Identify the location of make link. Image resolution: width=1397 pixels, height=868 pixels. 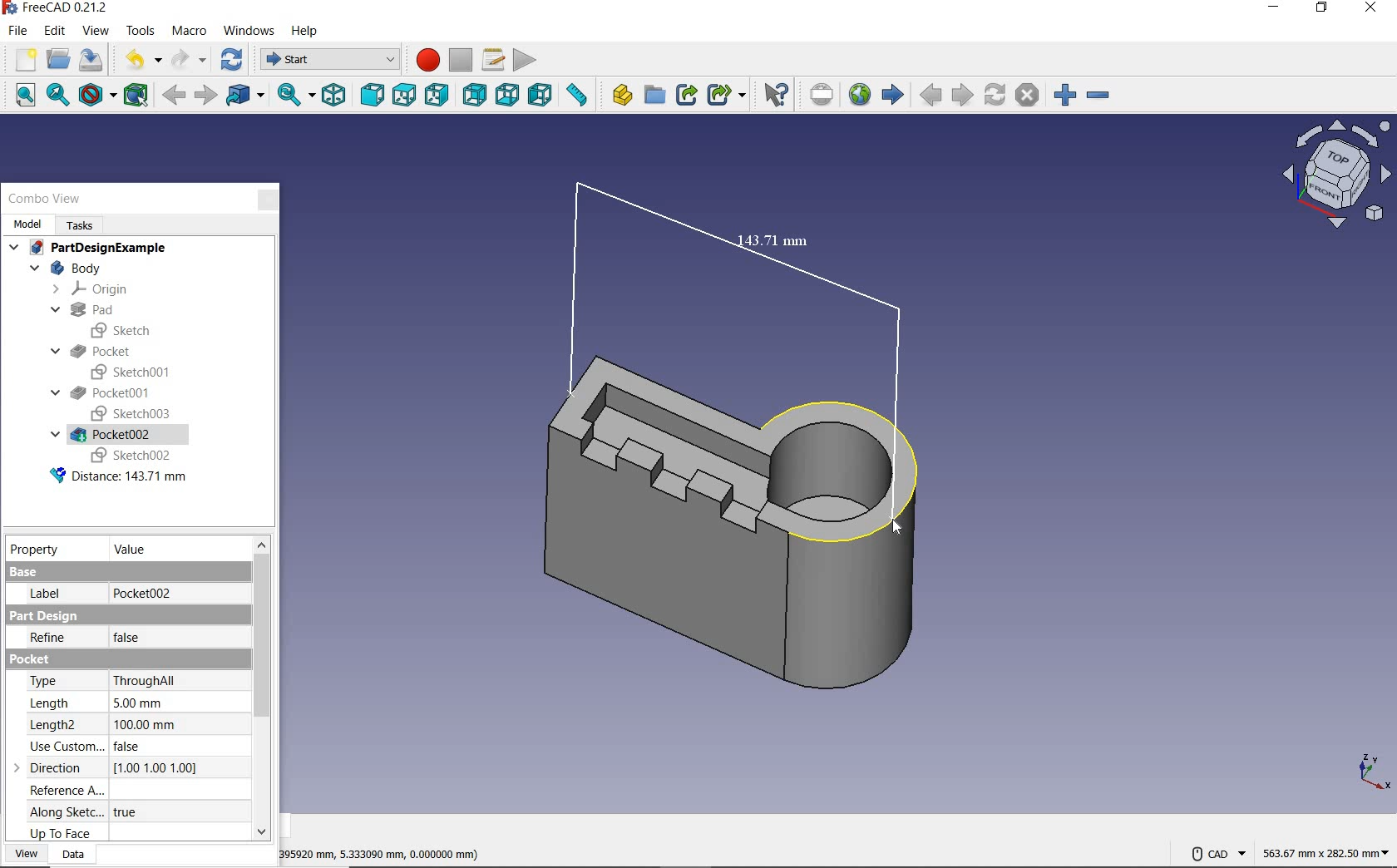
(686, 95).